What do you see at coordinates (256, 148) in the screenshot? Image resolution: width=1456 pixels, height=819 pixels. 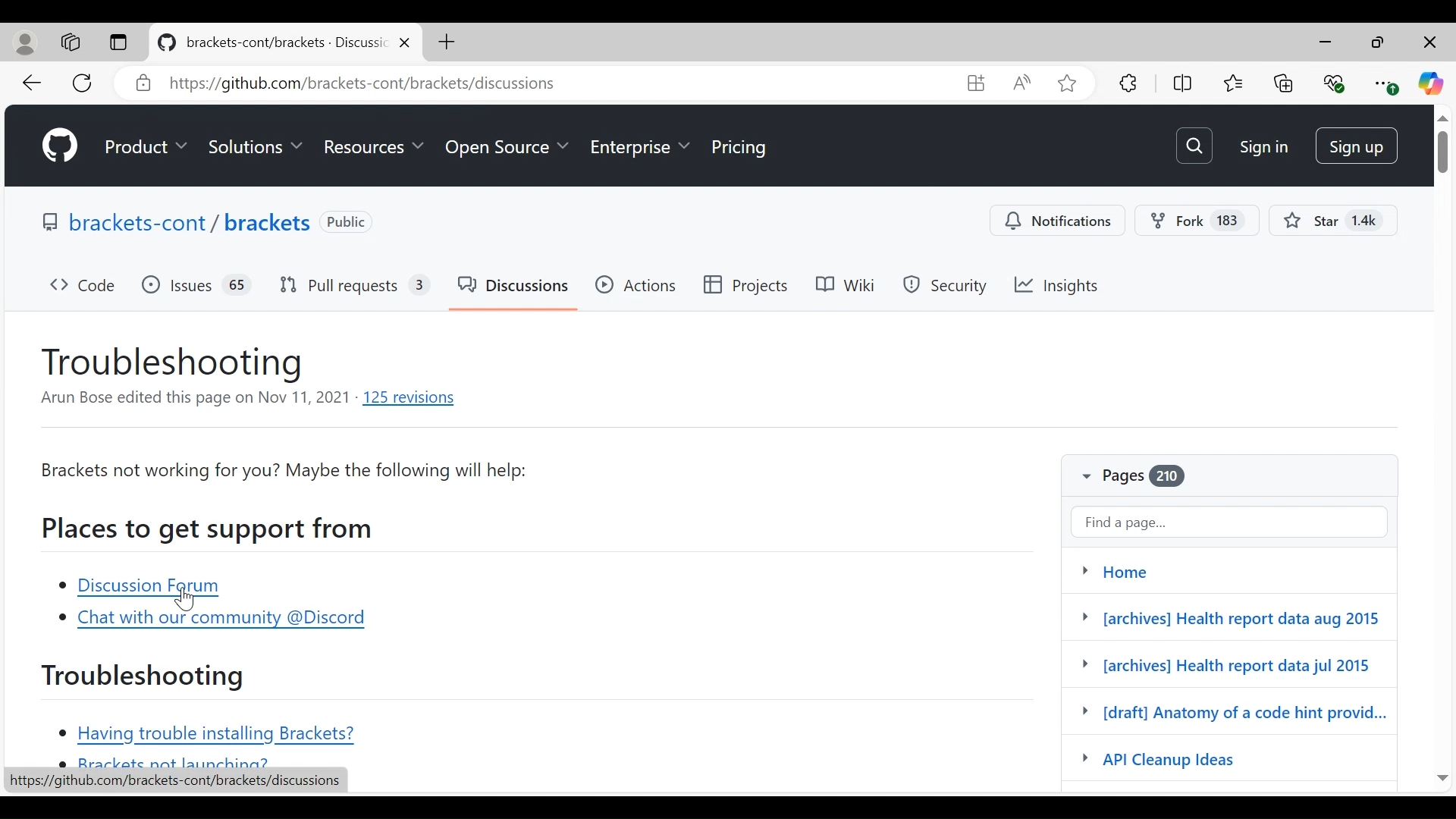 I see `Solutions` at bounding box center [256, 148].